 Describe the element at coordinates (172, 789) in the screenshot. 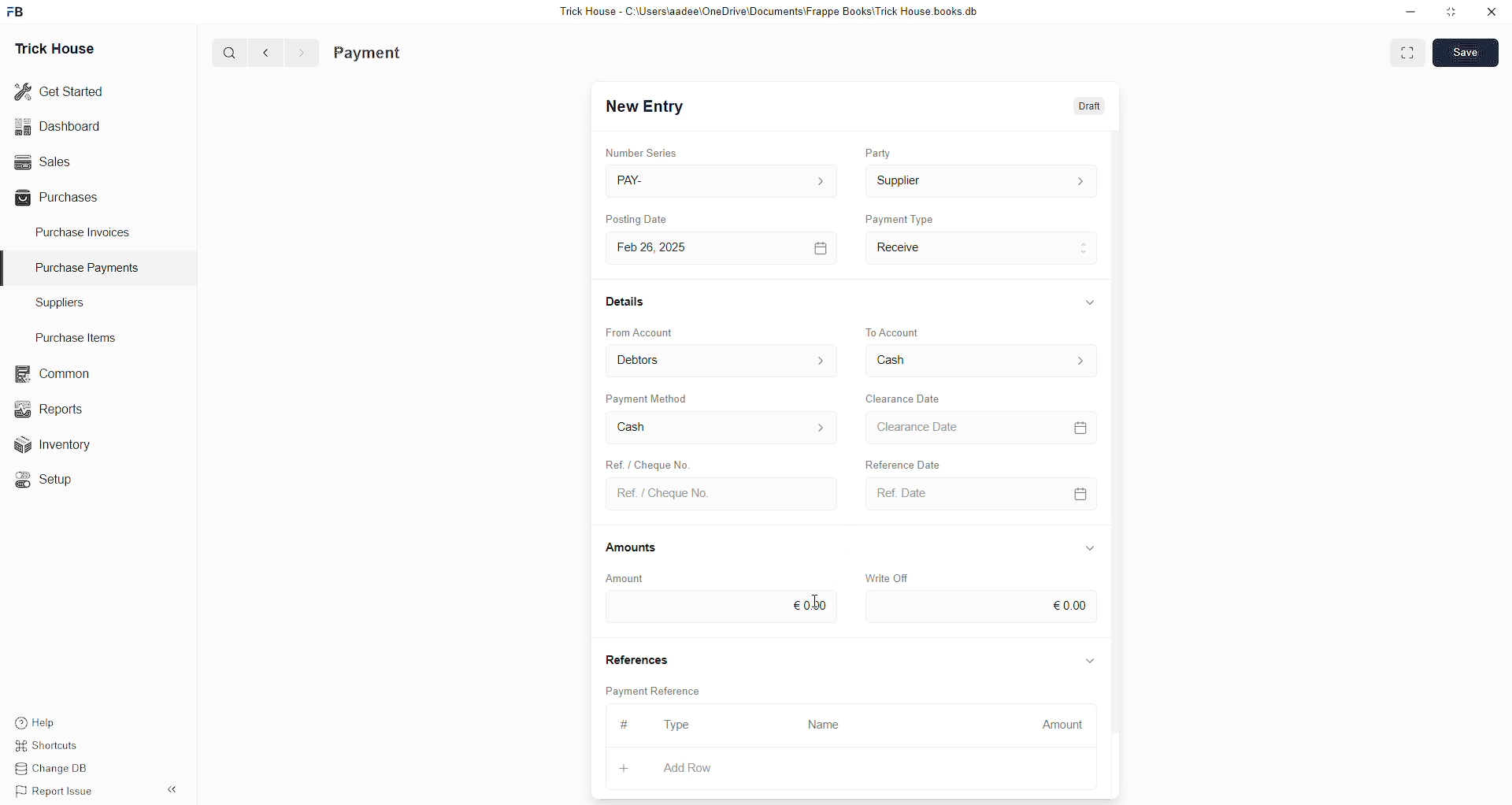

I see `expand` at that location.